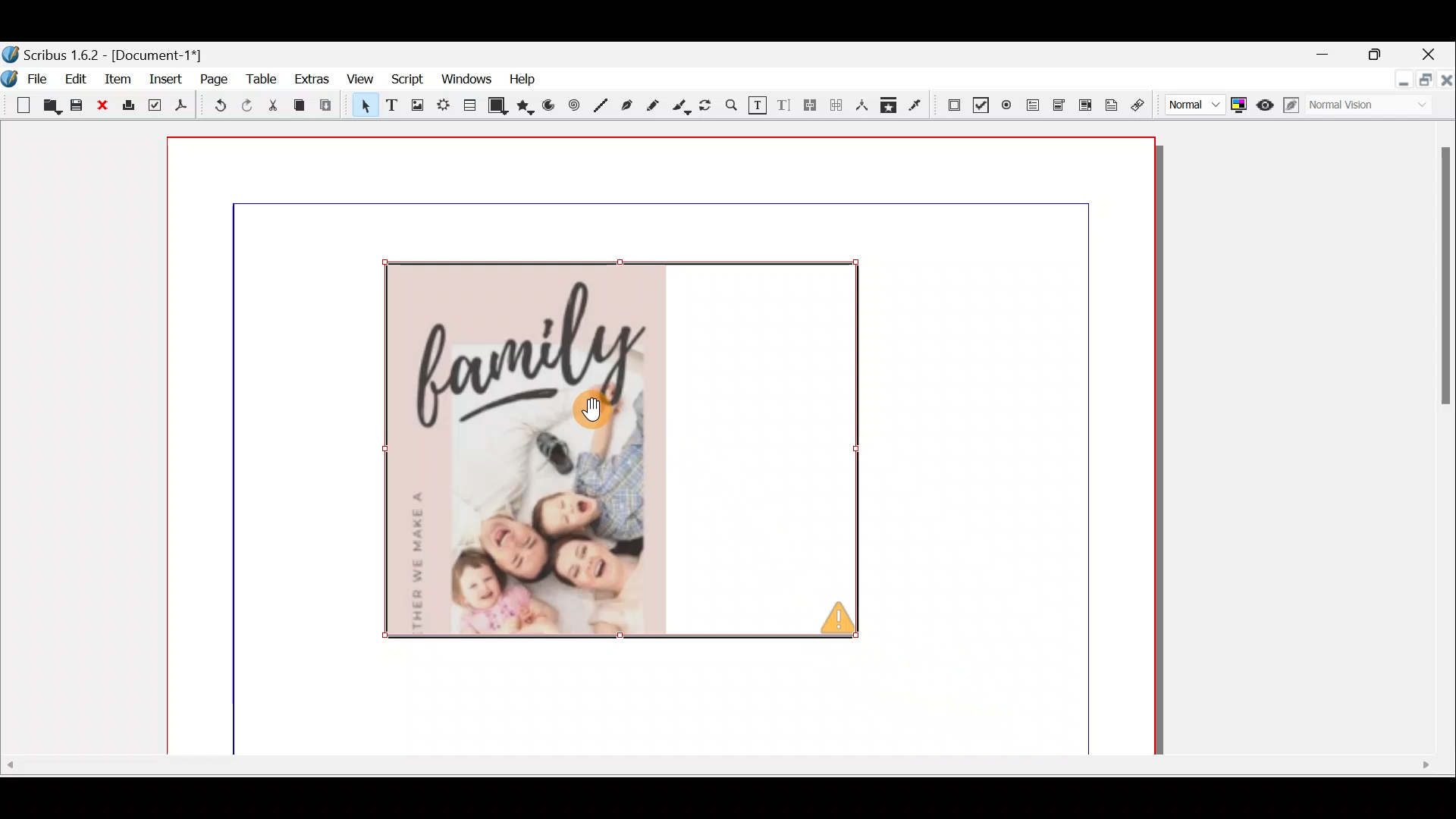  Describe the element at coordinates (213, 81) in the screenshot. I see `Page` at that location.